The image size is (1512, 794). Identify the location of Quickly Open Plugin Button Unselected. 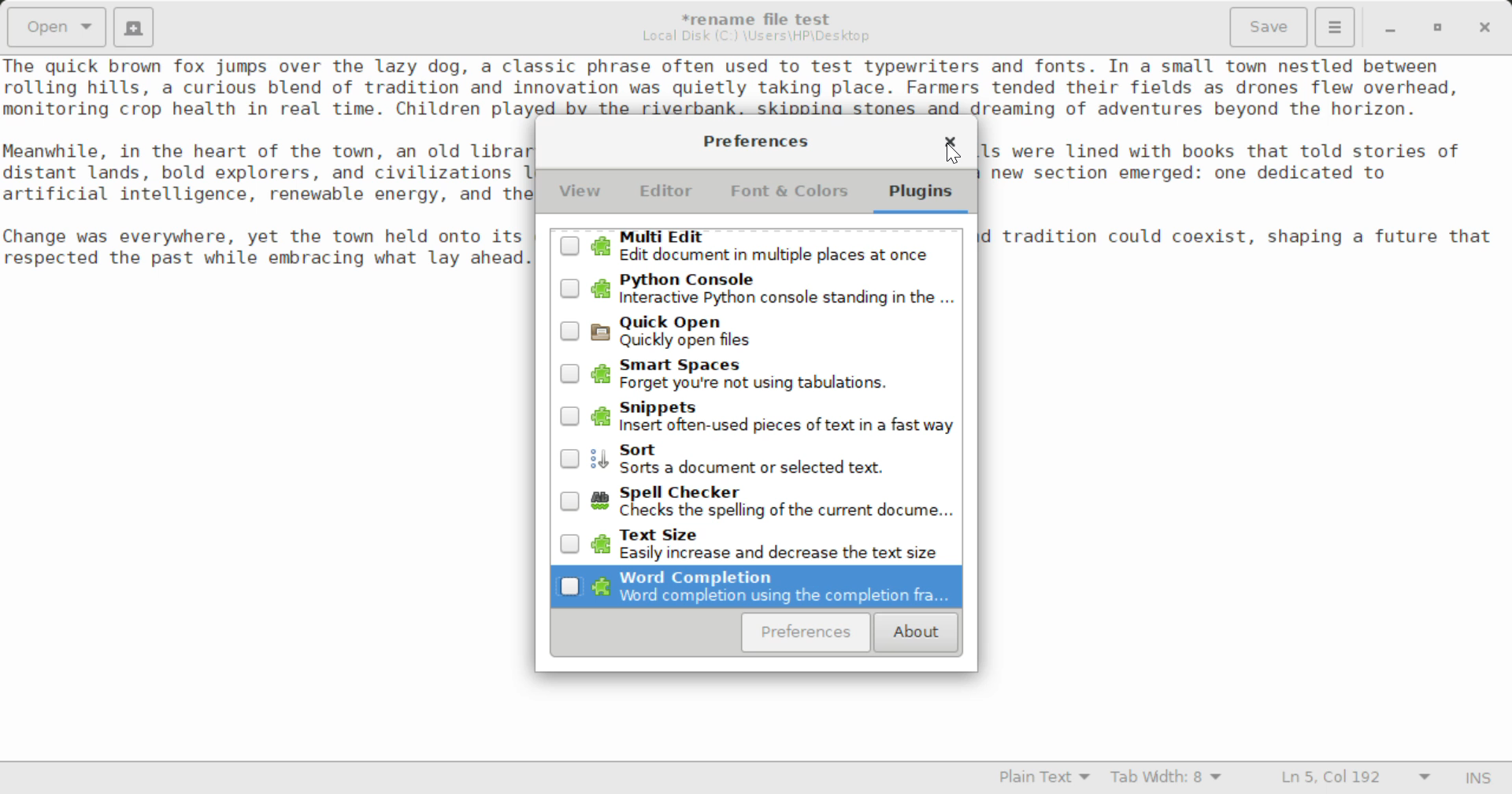
(756, 332).